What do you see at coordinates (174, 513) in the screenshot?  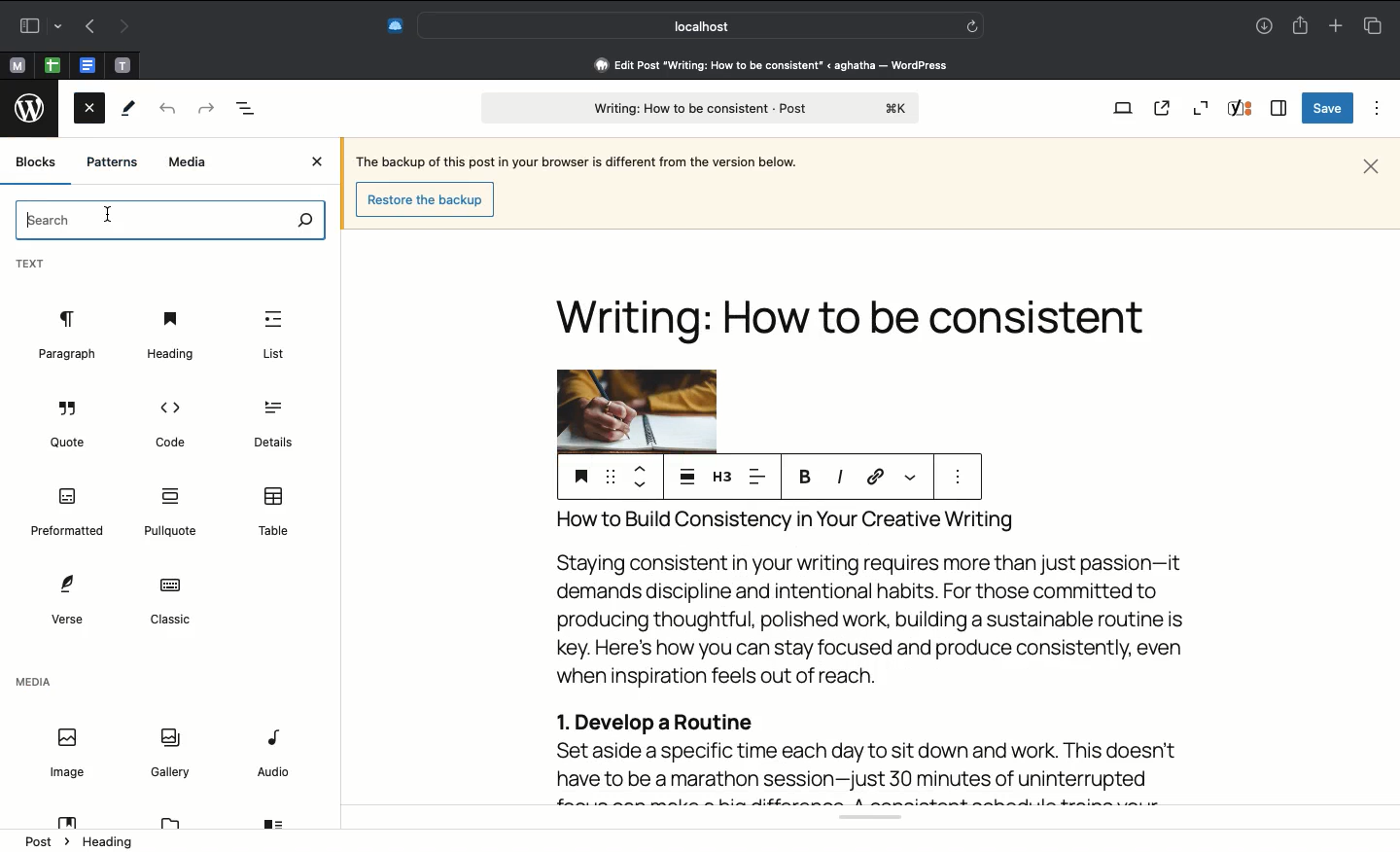 I see `Pullquote` at bounding box center [174, 513].